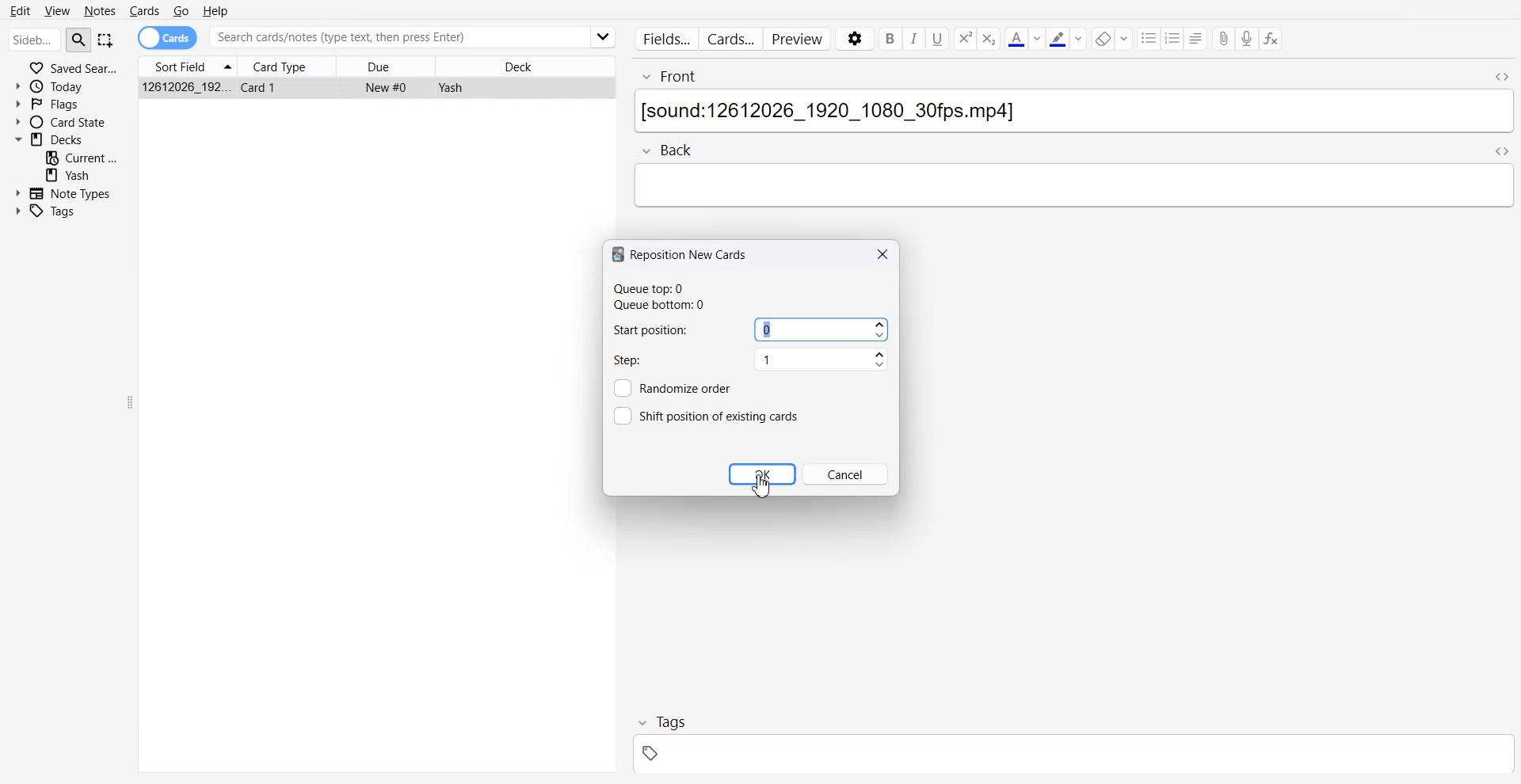  What do you see at coordinates (821, 330) in the screenshot?
I see `0 slider` at bounding box center [821, 330].